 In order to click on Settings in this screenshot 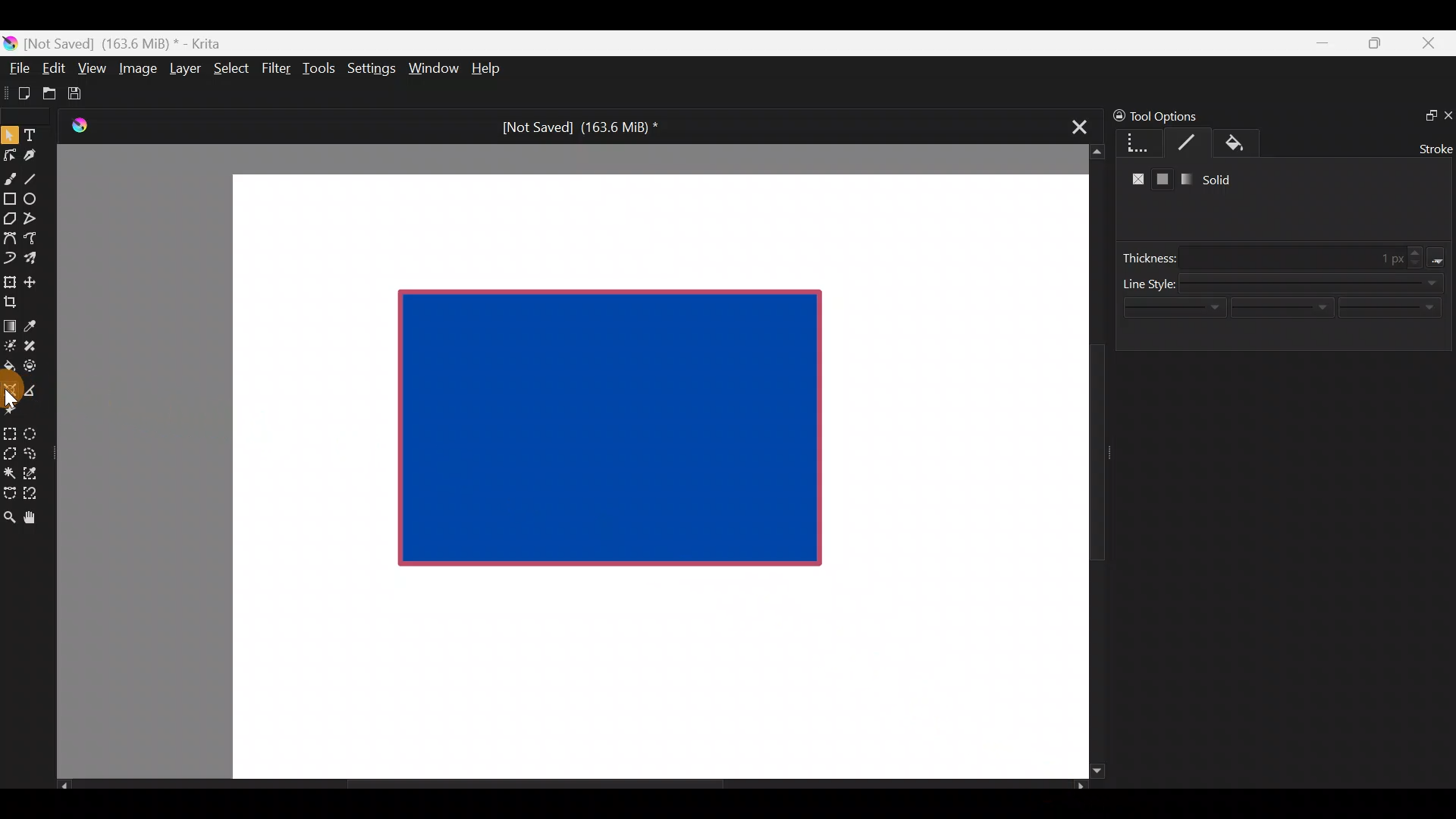, I will do `click(373, 71)`.